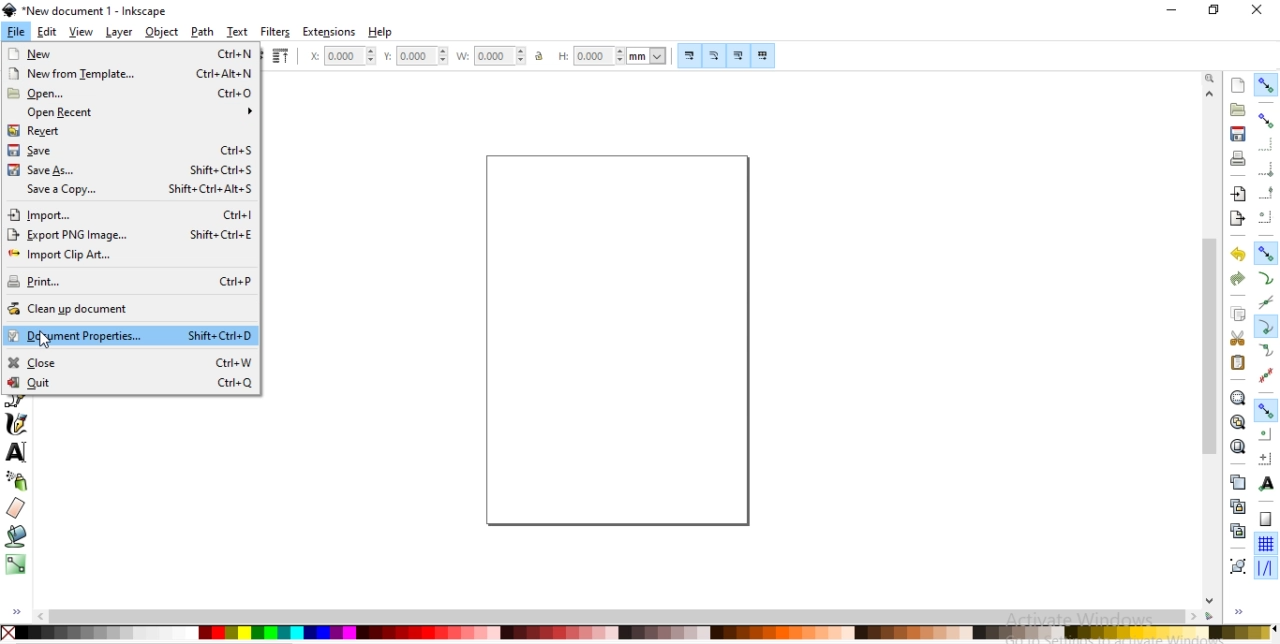  Describe the element at coordinates (1239, 194) in the screenshot. I see `import a bitmap` at that location.